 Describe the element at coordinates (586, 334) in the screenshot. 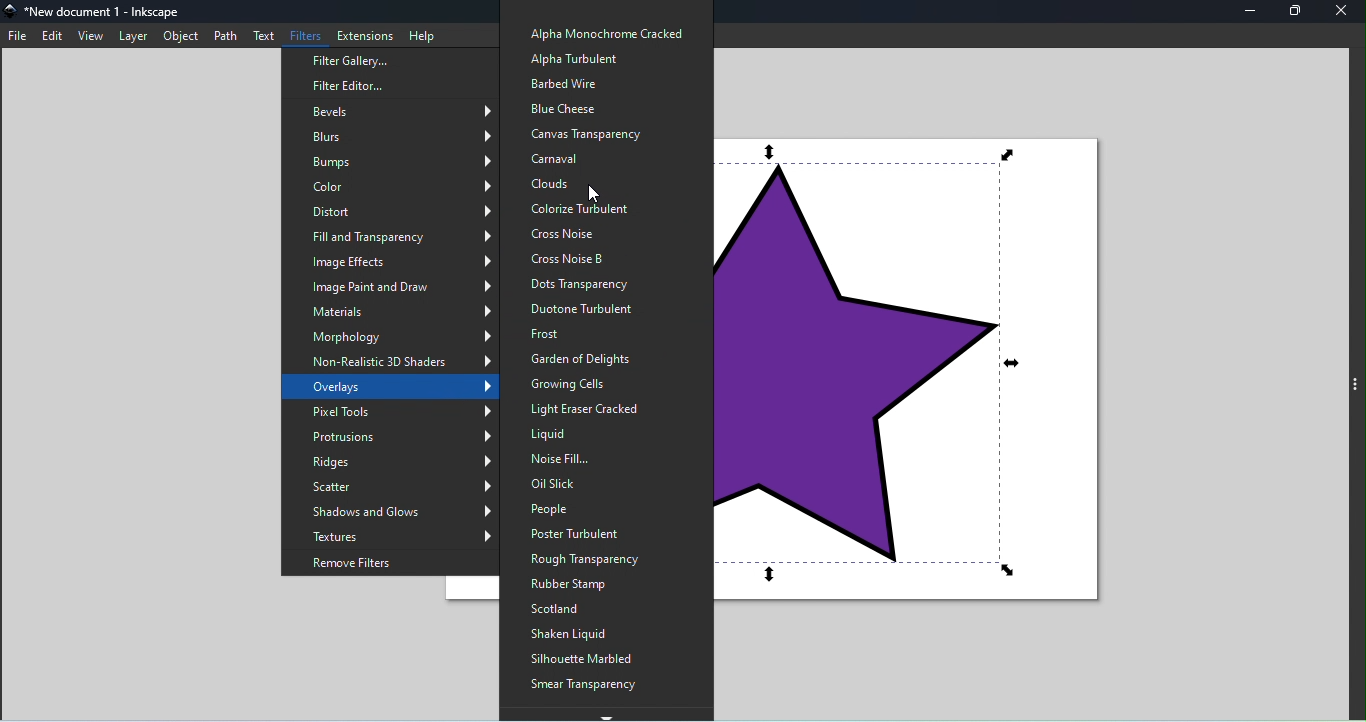

I see `Frost` at that location.